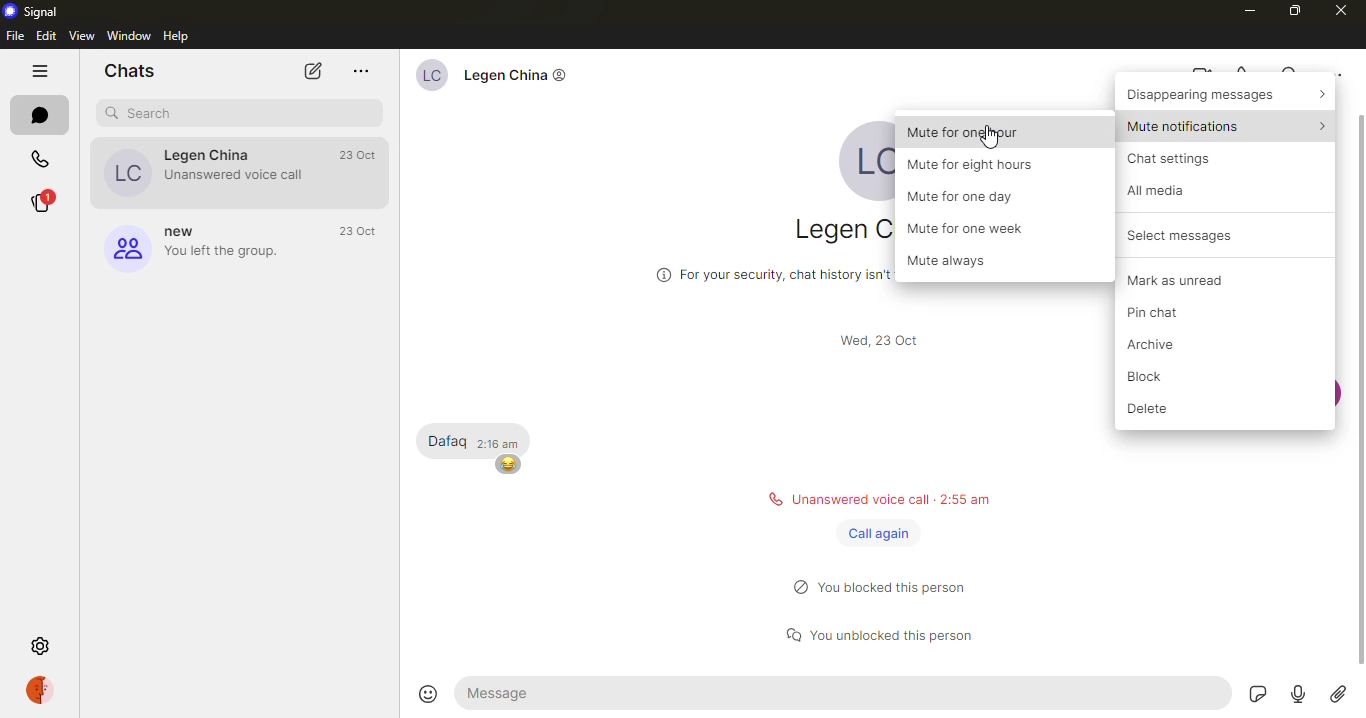 The height and width of the screenshot is (718, 1366). I want to click on emoji, so click(509, 465).